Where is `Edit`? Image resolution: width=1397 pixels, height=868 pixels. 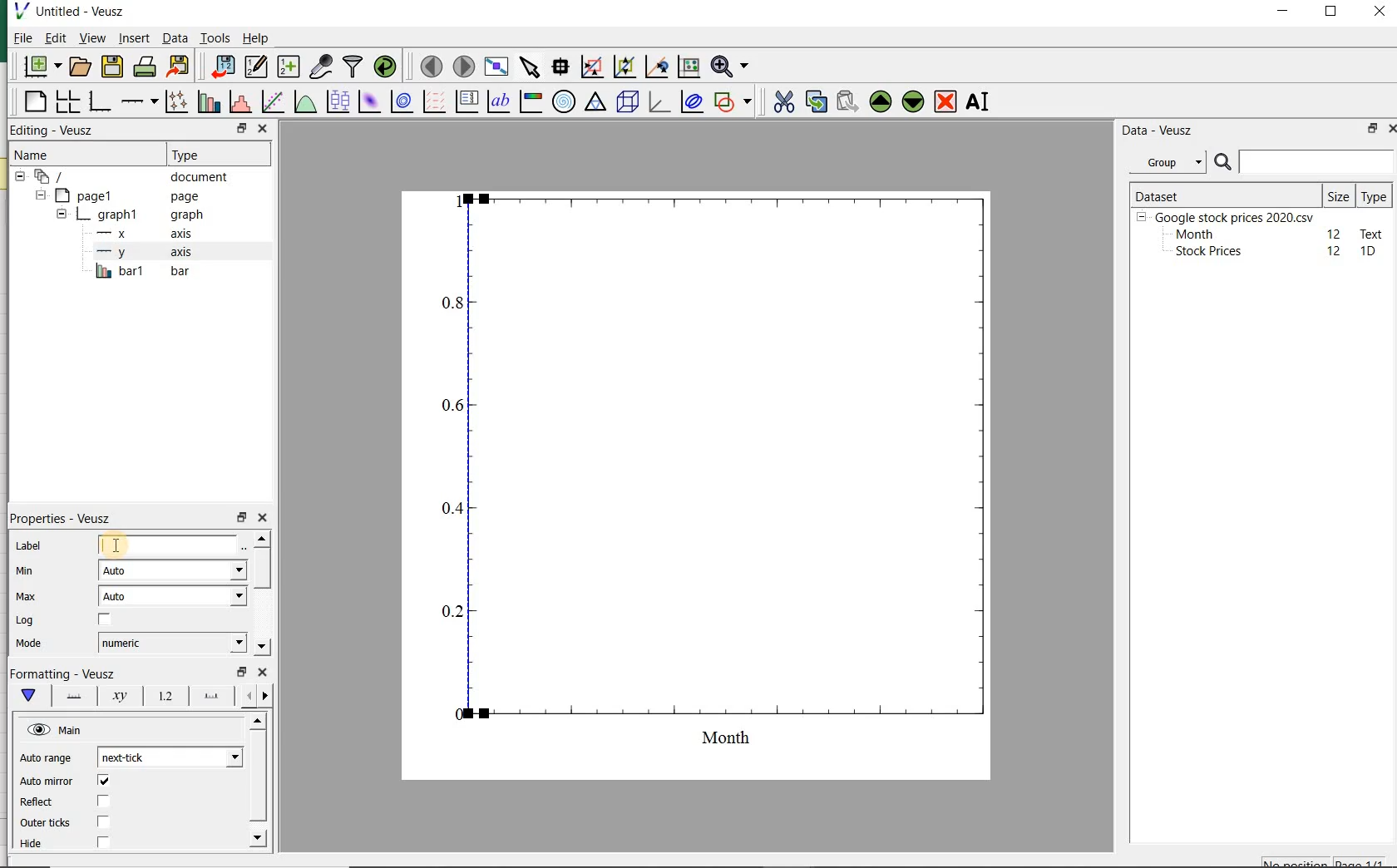
Edit is located at coordinates (54, 37).